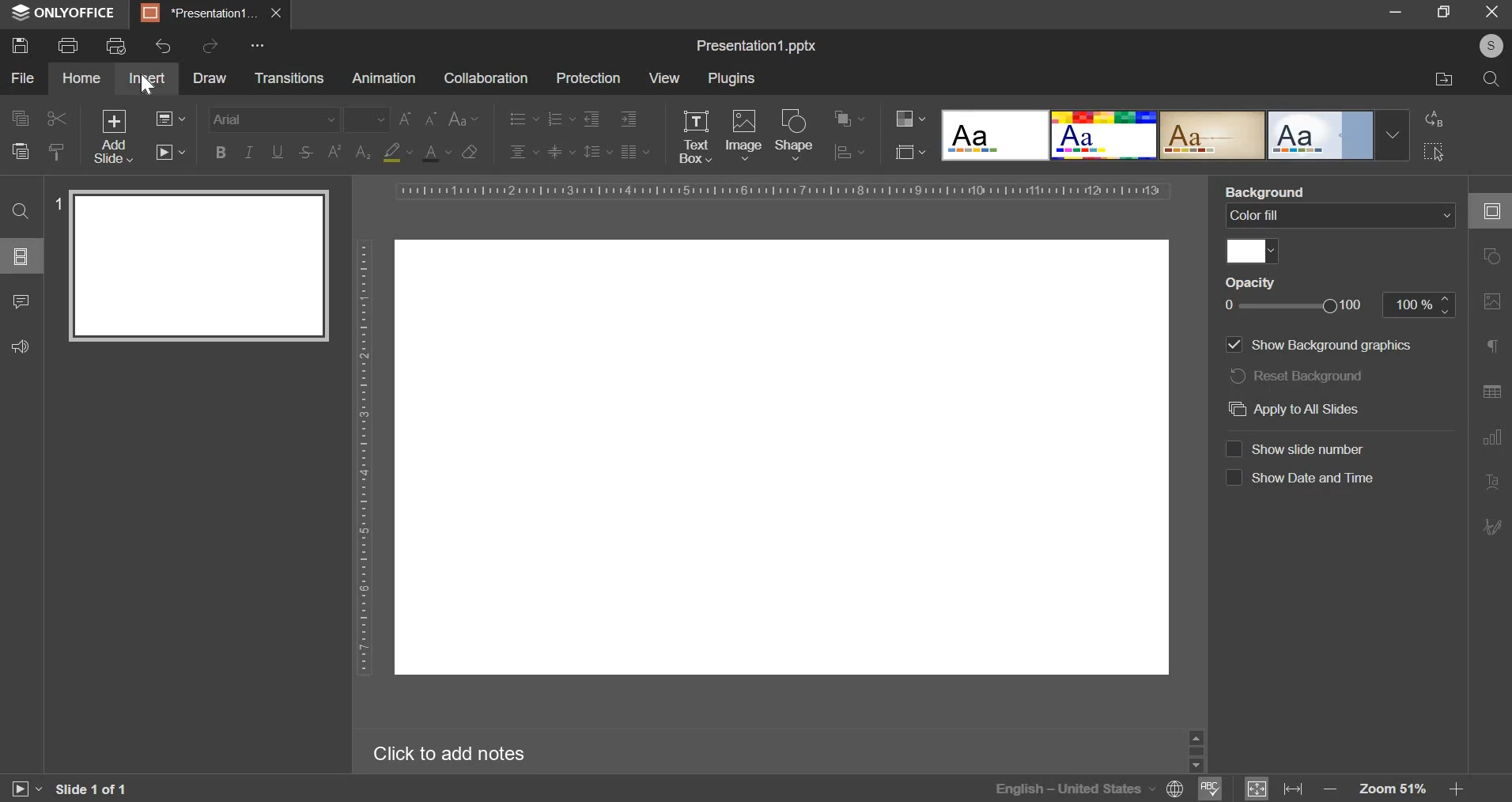  Describe the element at coordinates (1419, 305) in the screenshot. I see `opacity percentage` at that location.